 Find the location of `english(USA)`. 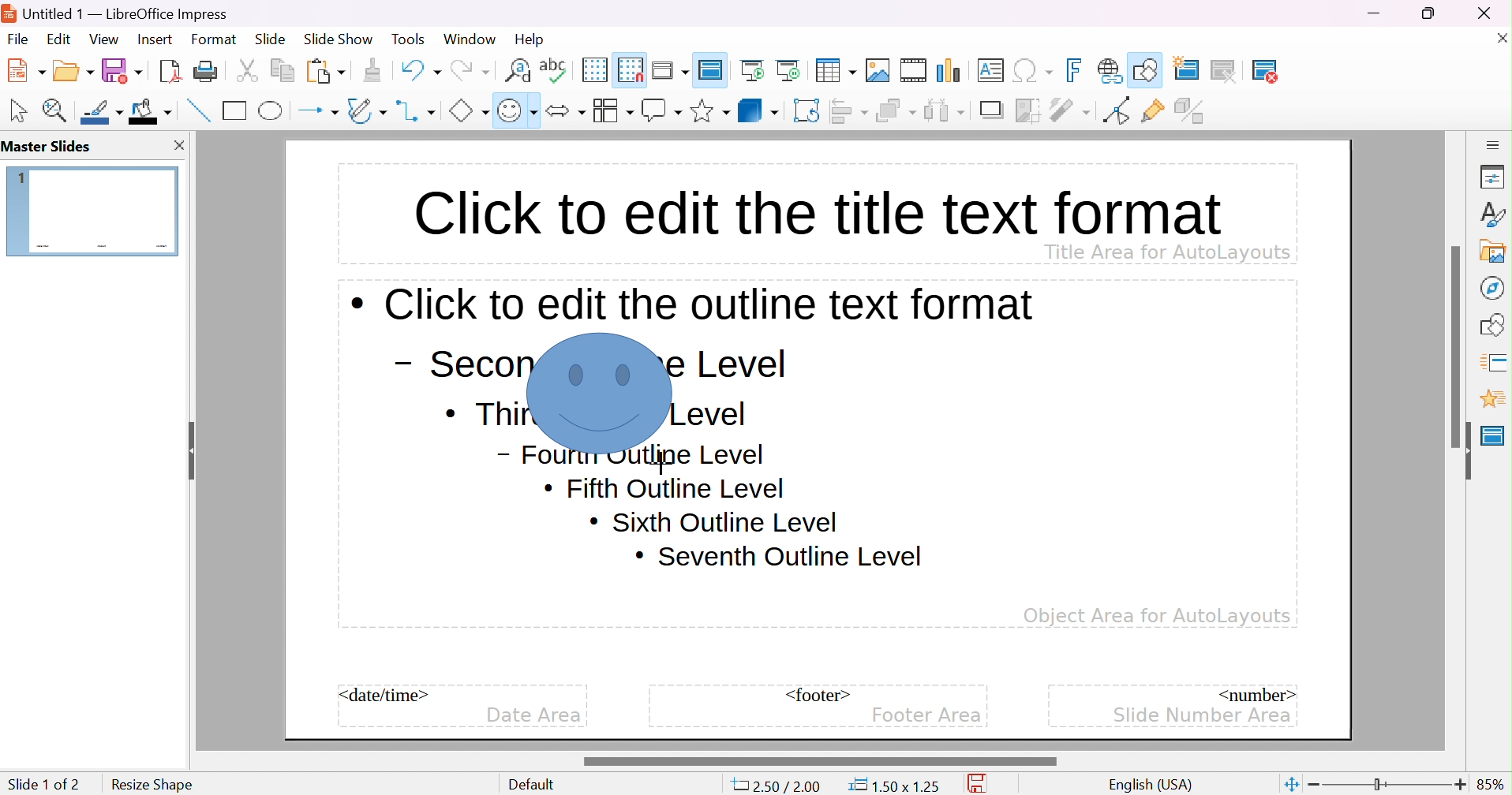

english(USA) is located at coordinates (1151, 785).